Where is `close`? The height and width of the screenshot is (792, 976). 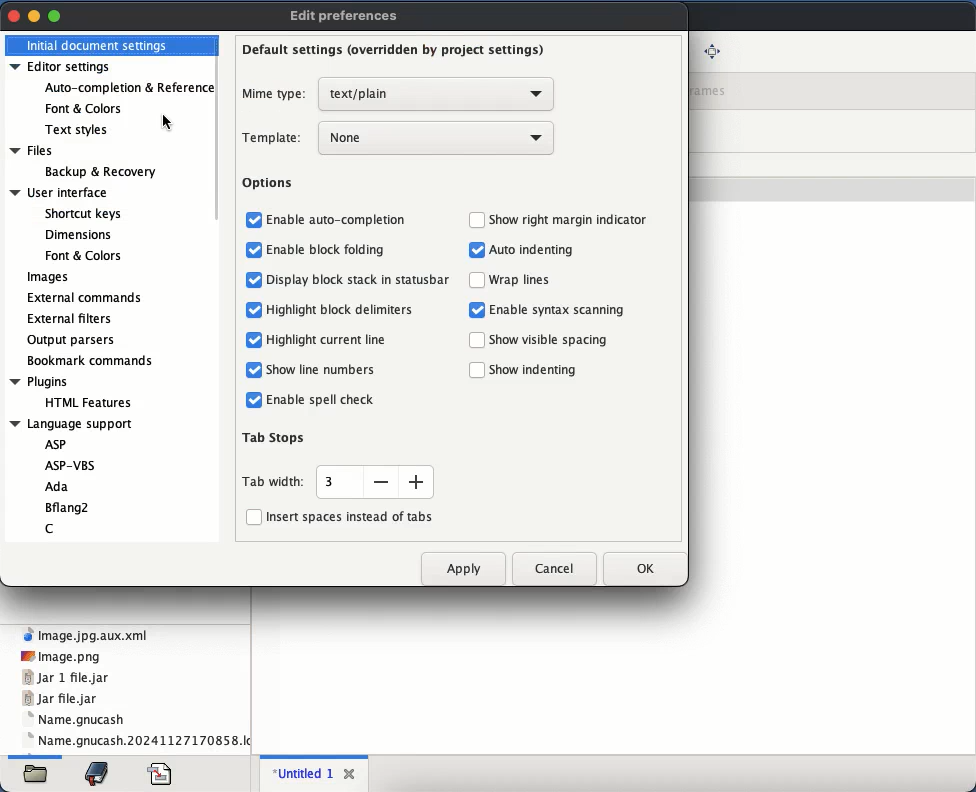 close is located at coordinates (15, 15).